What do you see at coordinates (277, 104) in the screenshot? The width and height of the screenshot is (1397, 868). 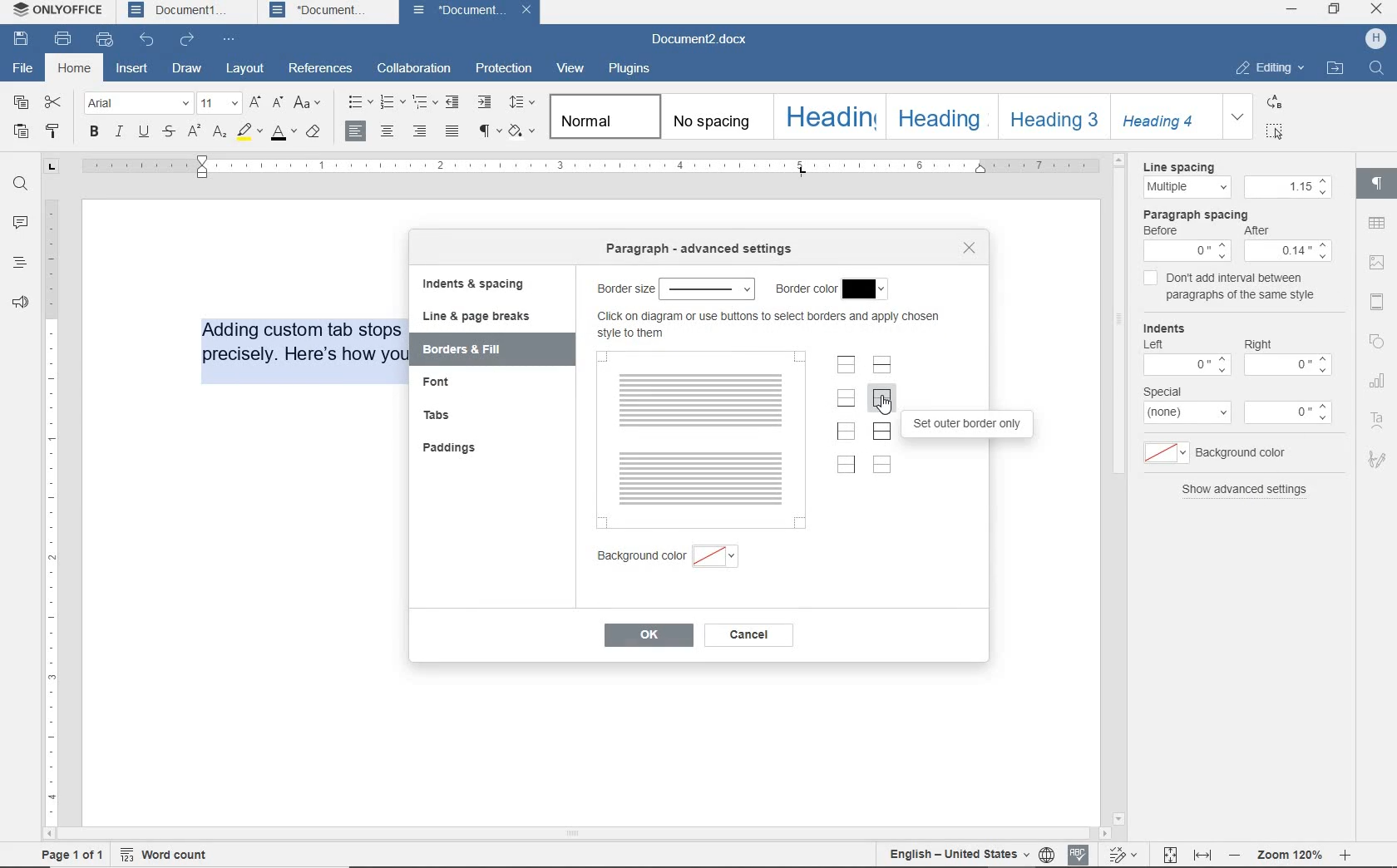 I see `decrement font size` at bounding box center [277, 104].